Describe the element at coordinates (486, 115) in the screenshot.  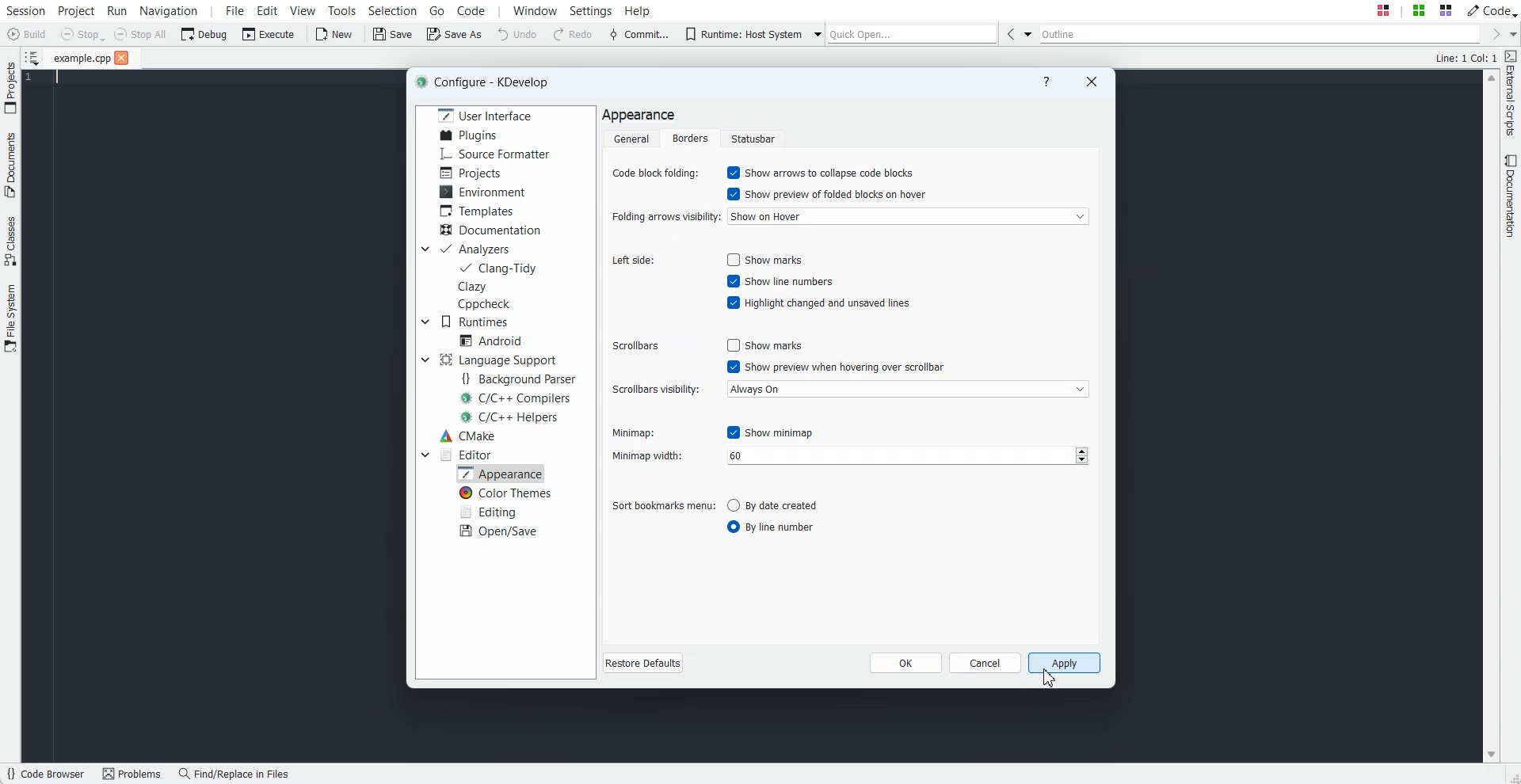
I see `User Interface` at that location.